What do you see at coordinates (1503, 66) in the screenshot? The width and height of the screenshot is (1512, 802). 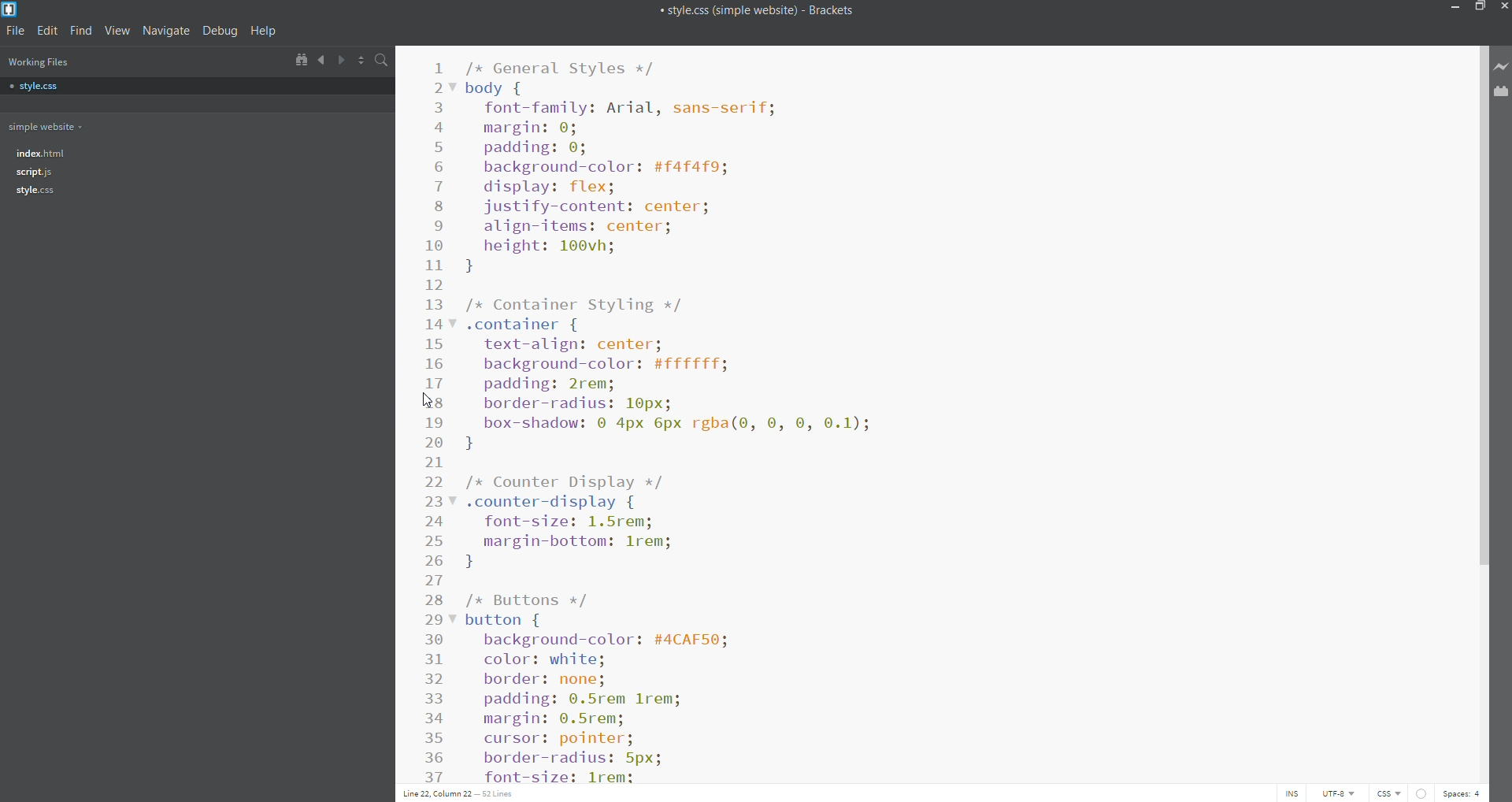 I see `live preview` at bounding box center [1503, 66].